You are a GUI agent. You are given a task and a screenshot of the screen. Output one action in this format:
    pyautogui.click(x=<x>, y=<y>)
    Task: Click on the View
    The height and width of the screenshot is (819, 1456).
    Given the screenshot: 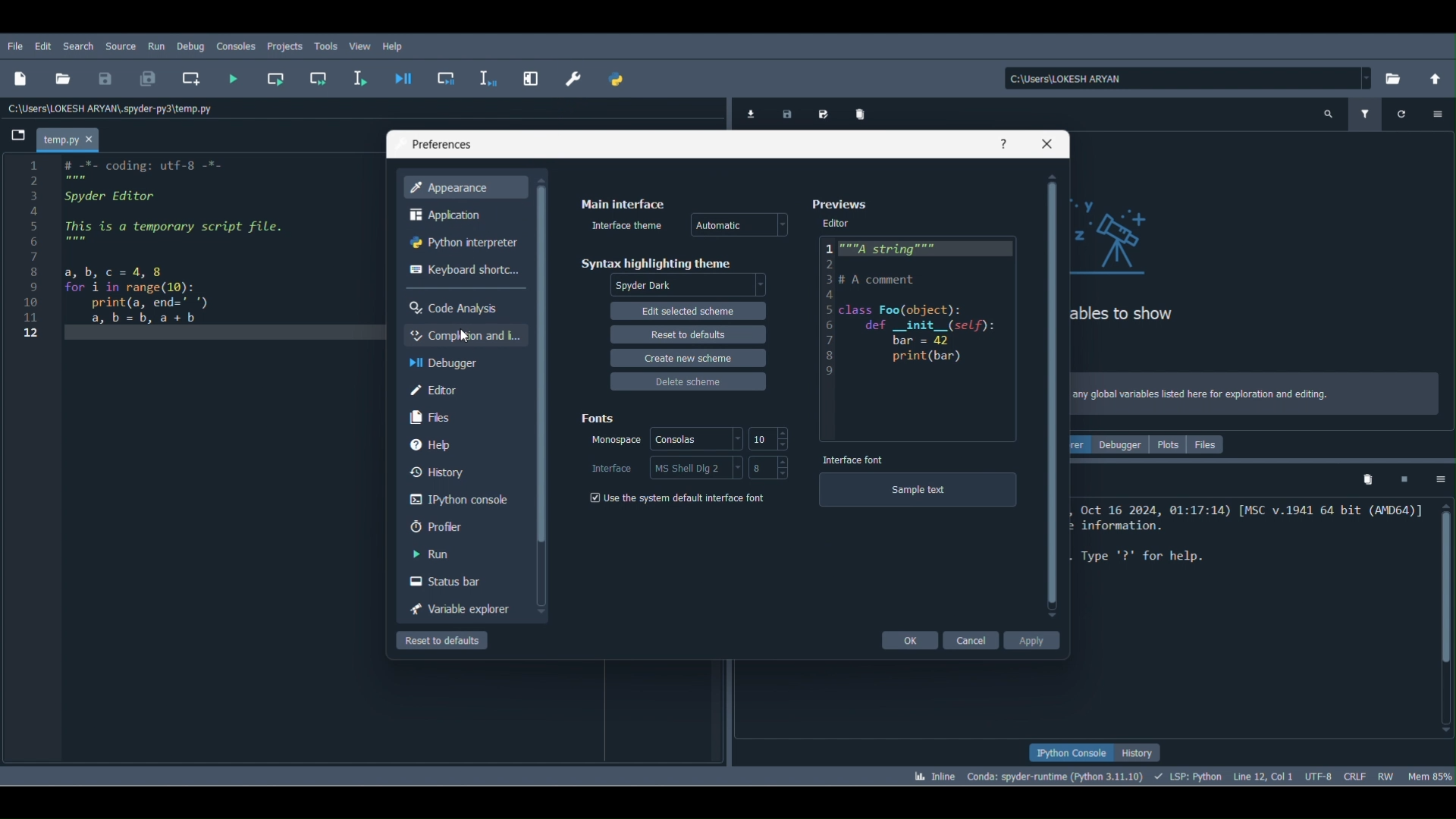 What is the action you would take?
    pyautogui.click(x=359, y=45)
    